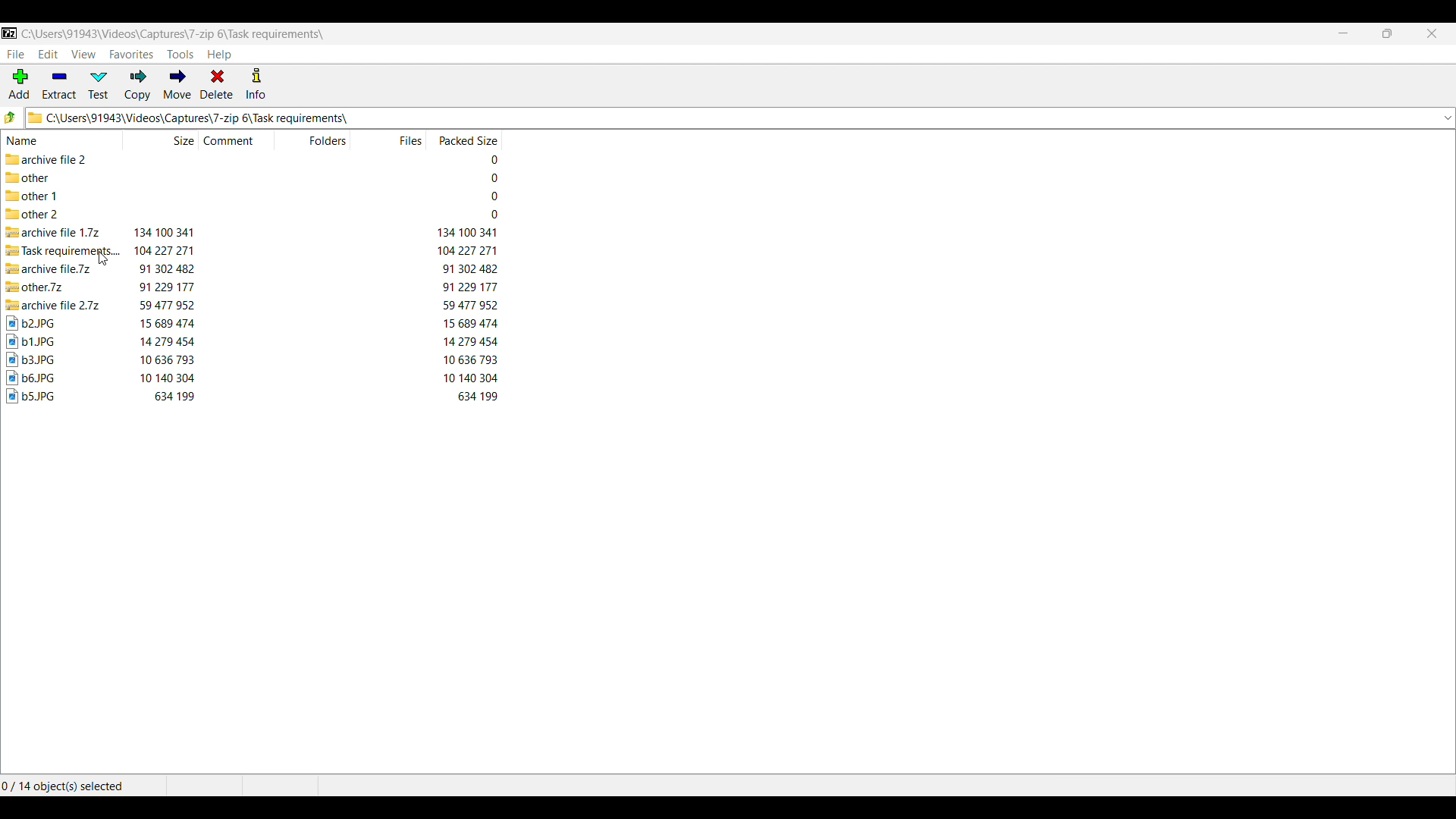 The width and height of the screenshot is (1456, 819). I want to click on compressed file, so click(50, 232).